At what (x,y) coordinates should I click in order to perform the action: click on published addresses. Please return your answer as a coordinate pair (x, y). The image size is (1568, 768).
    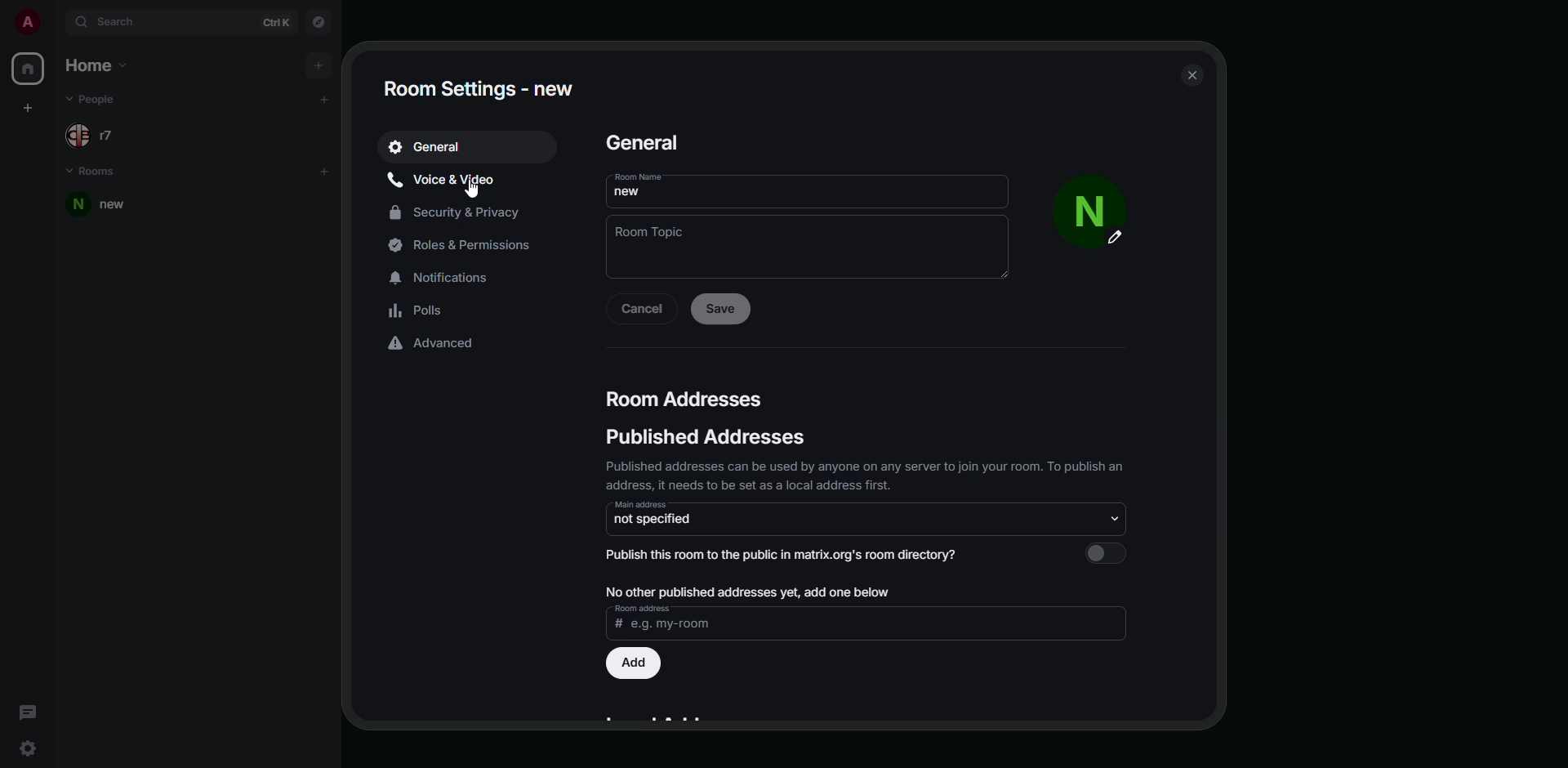
    Looking at the image, I should click on (863, 438).